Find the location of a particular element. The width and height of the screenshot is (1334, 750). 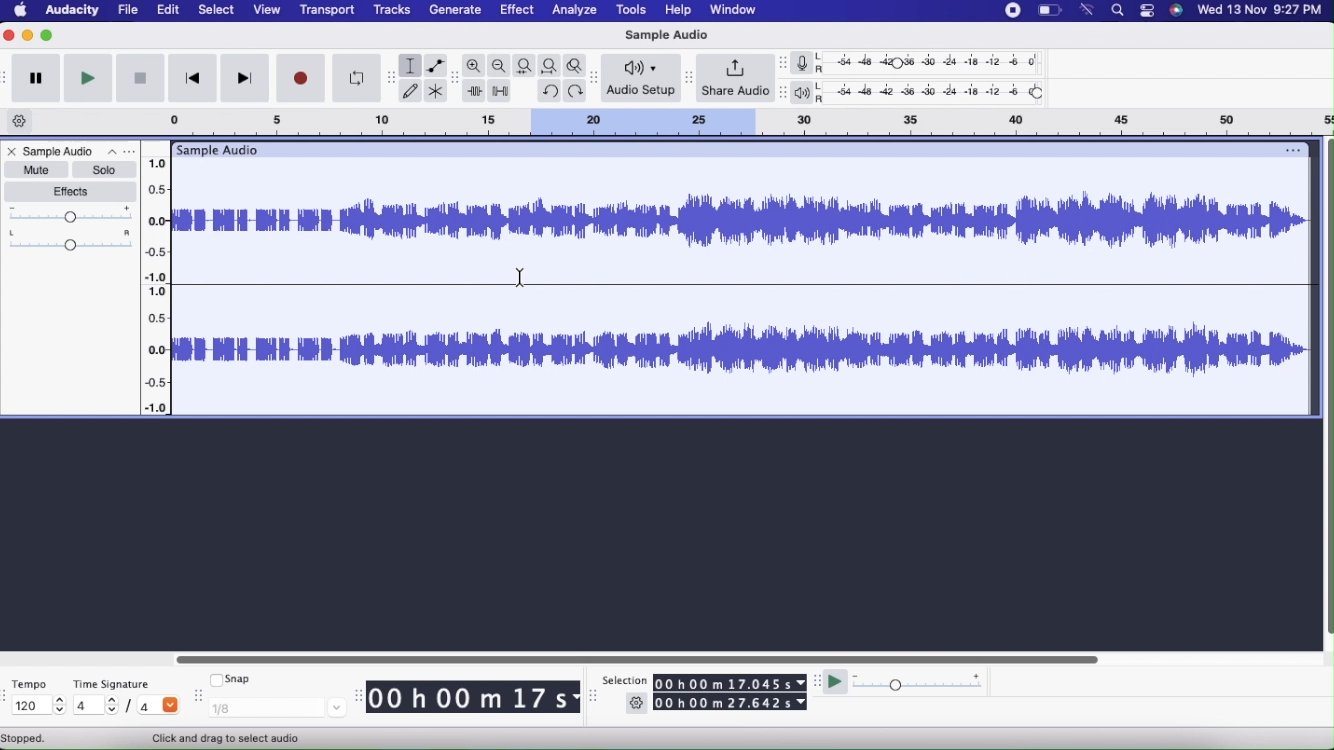

Undo is located at coordinates (549, 89).